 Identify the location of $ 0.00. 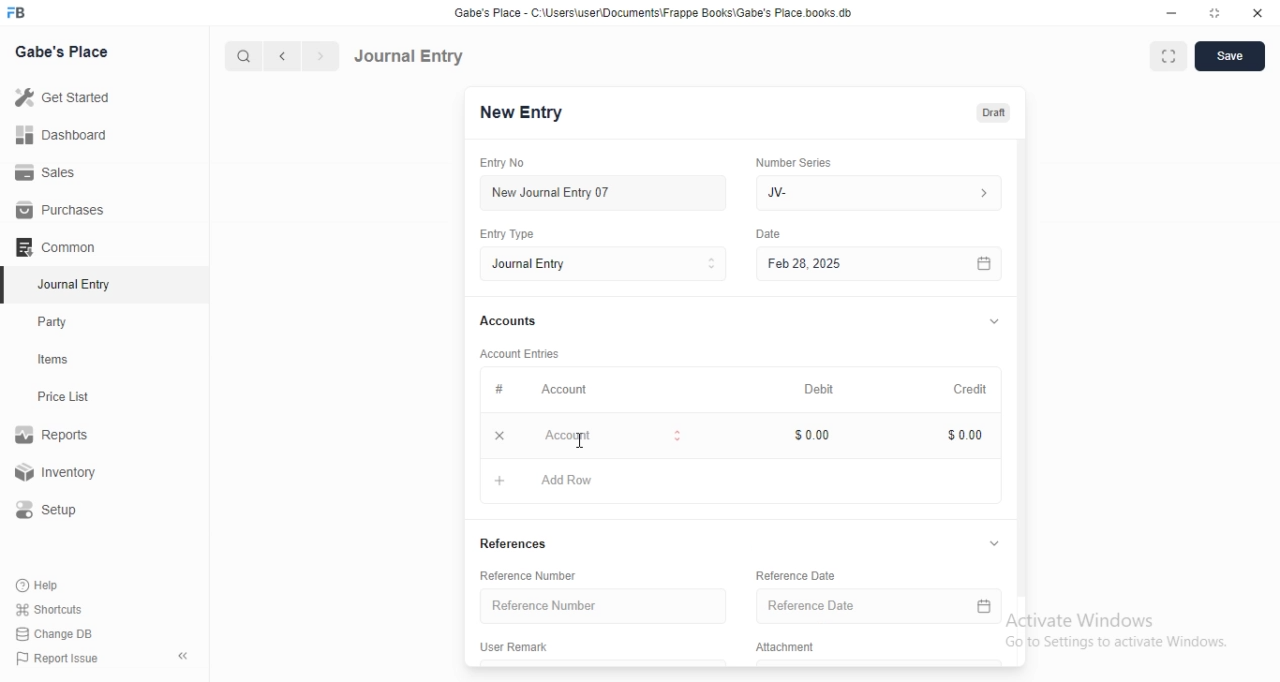
(811, 435).